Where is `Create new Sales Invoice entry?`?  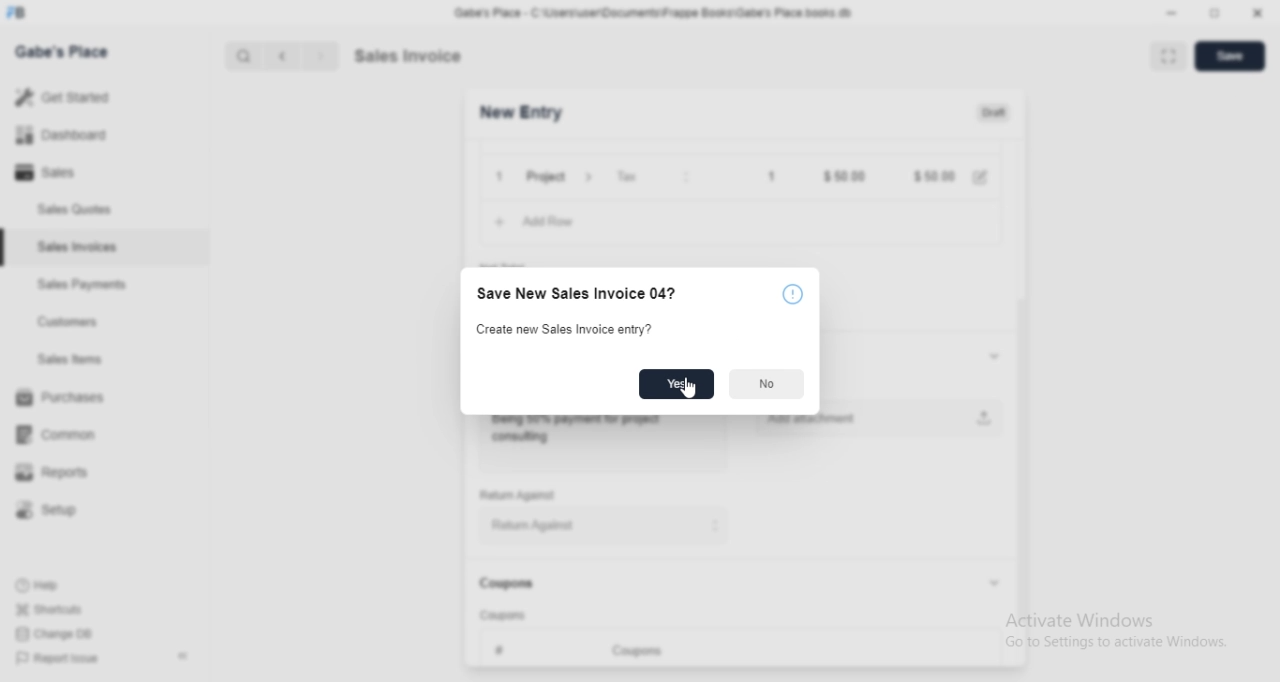
Create new Sales Invoice entry? is located at coordinates (570, 329).